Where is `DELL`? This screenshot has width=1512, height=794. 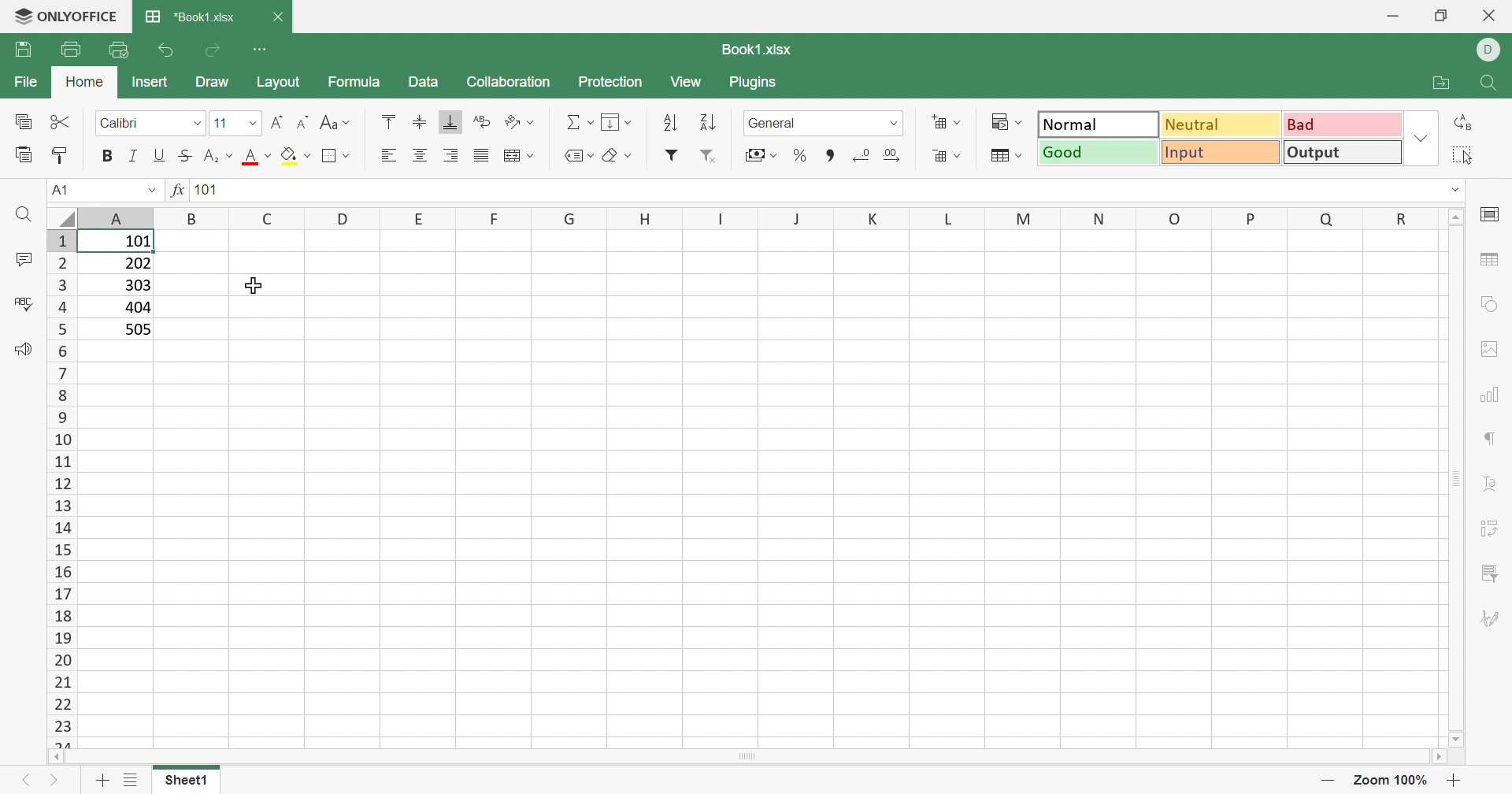
DELL is located at coordinates (1491, 50).